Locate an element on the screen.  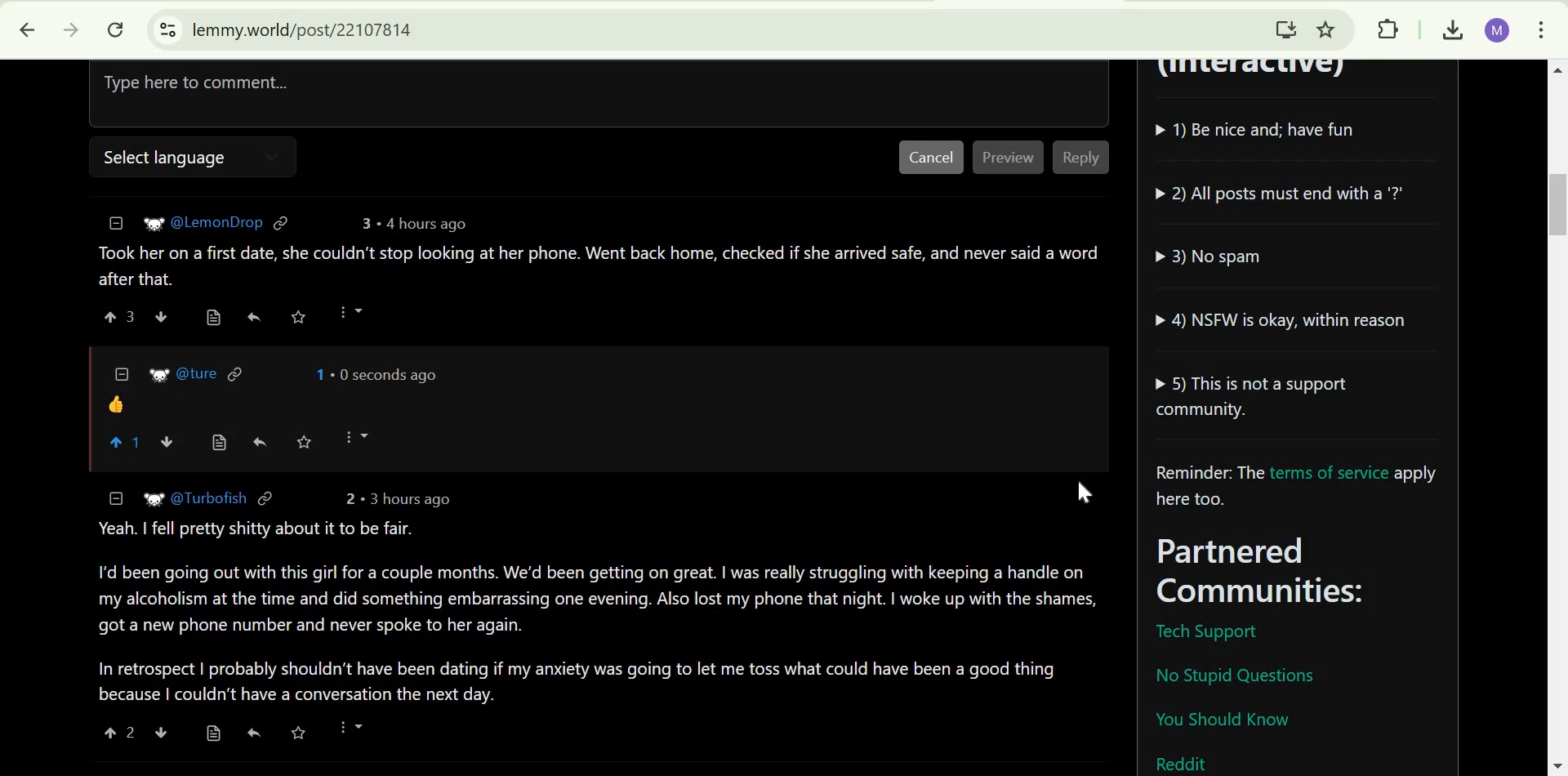
4 hours ago is located at coordinates (421, 224).